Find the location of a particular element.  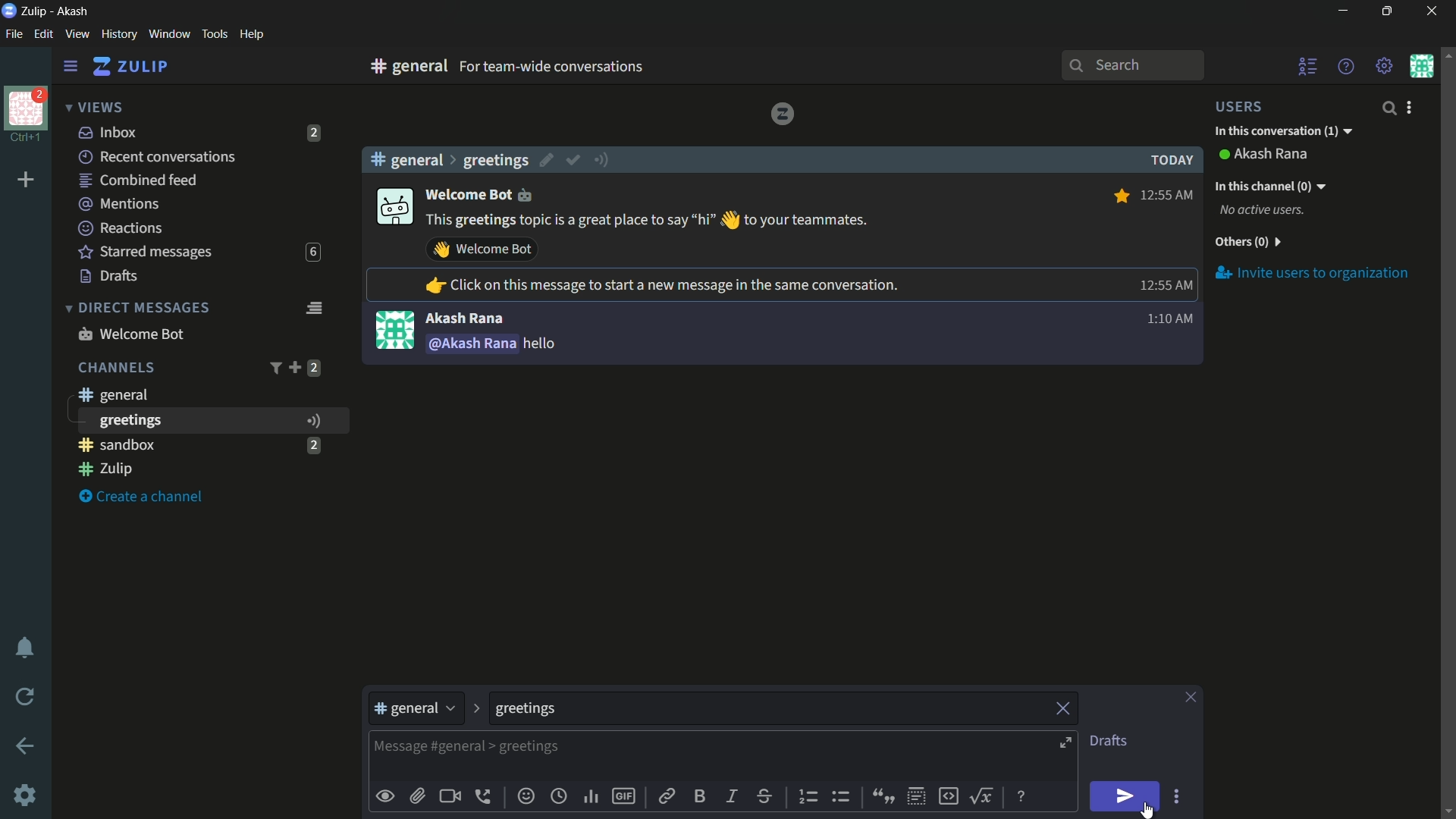

tools menu is located at coordinates (214, 34).